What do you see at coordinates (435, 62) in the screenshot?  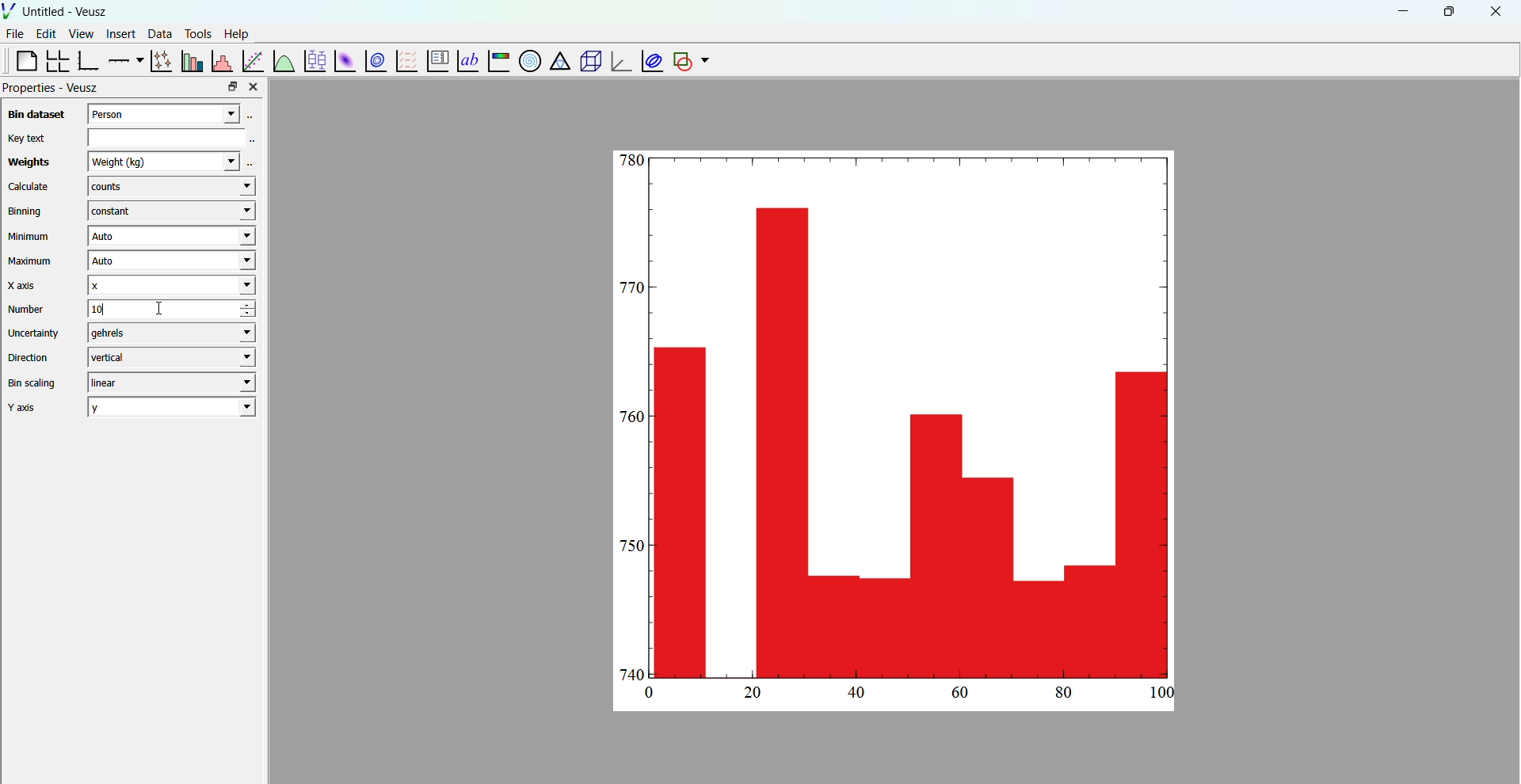 I see `plot key` at bounding box center [435, 62].